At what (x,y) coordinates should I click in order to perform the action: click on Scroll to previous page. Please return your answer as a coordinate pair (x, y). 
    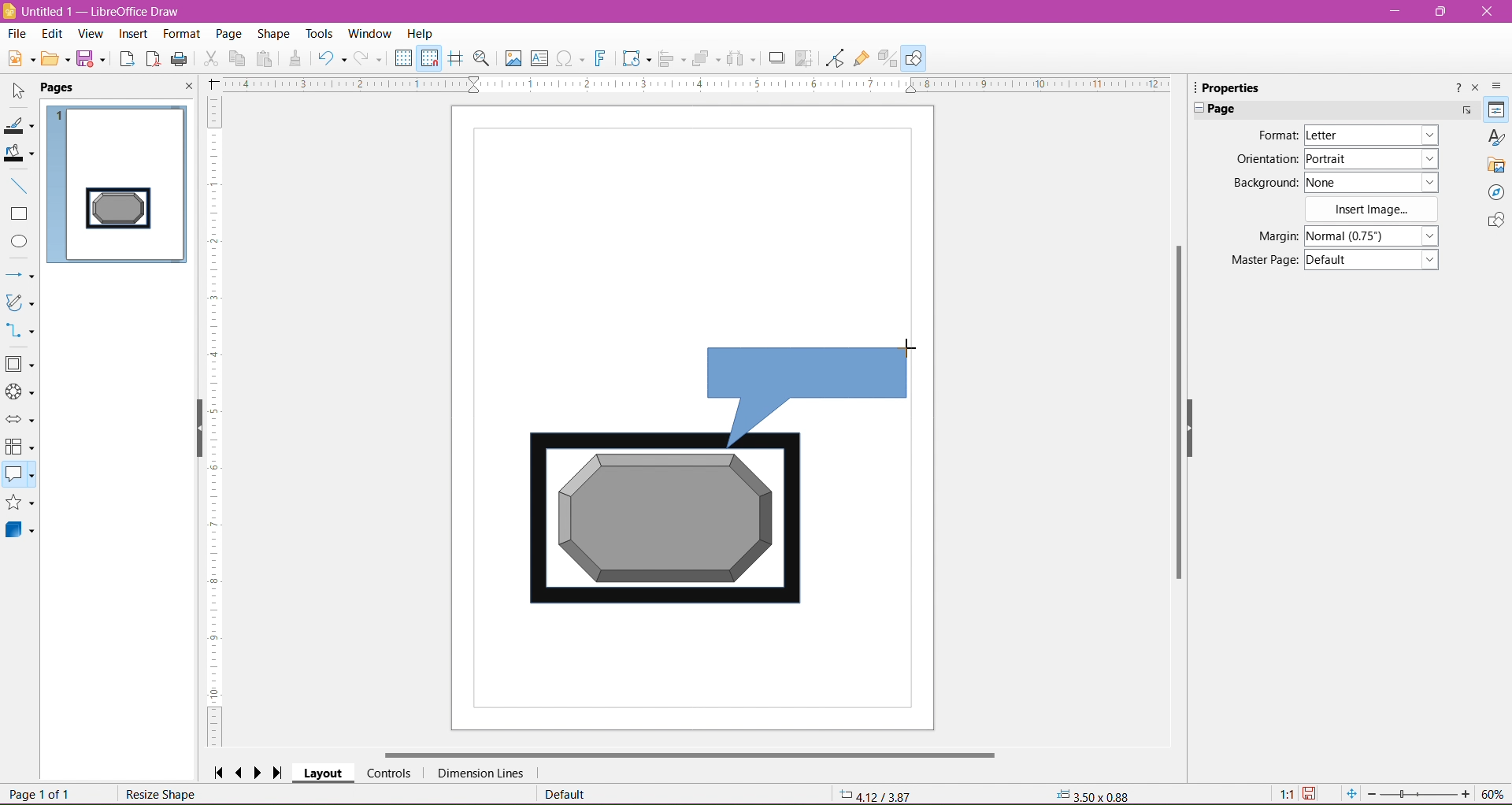
    Looking at the image, I should click on (241, 772).